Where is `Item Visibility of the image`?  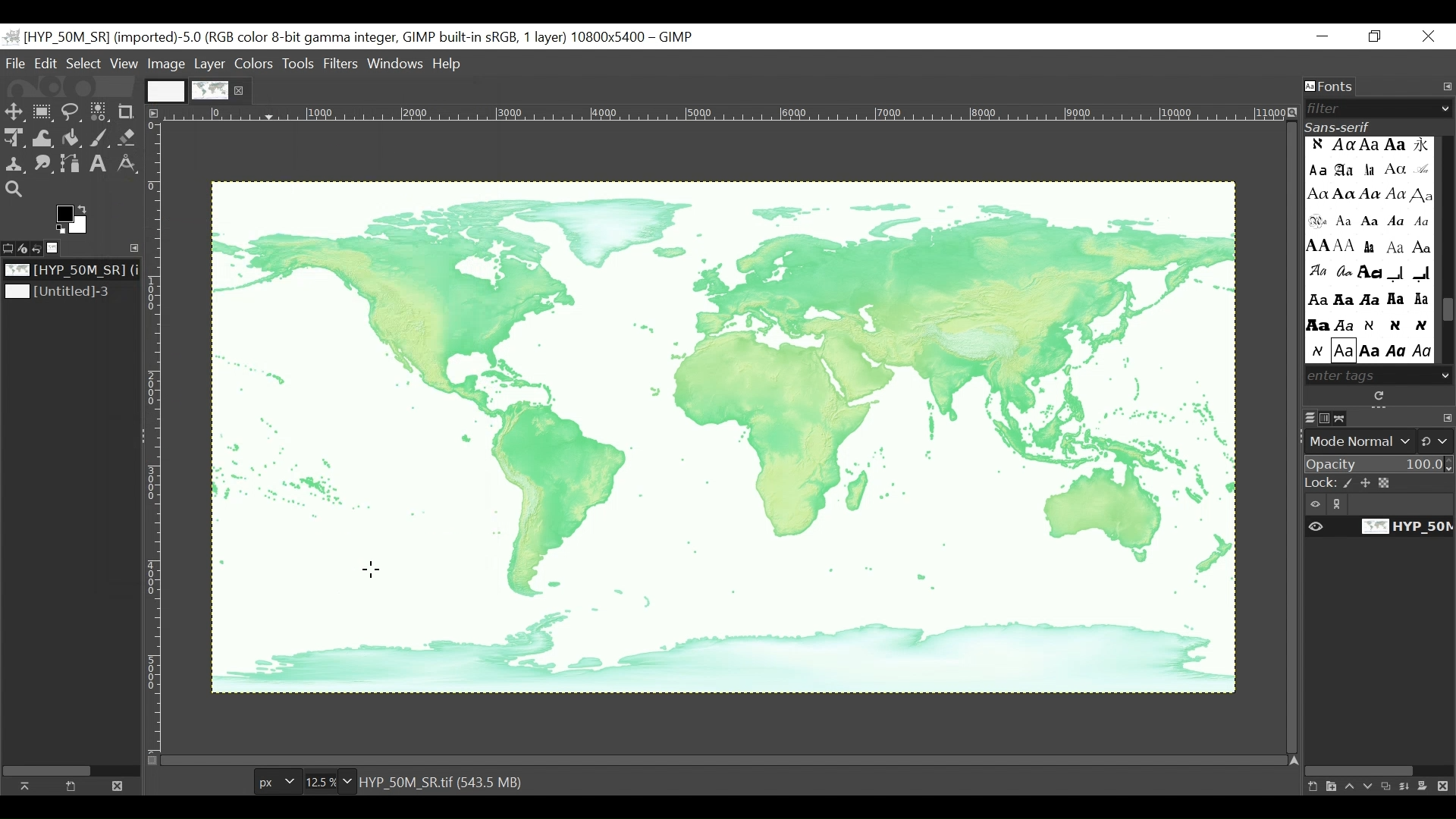 Item Visibility of the image is located at coordinates (1376, 527).